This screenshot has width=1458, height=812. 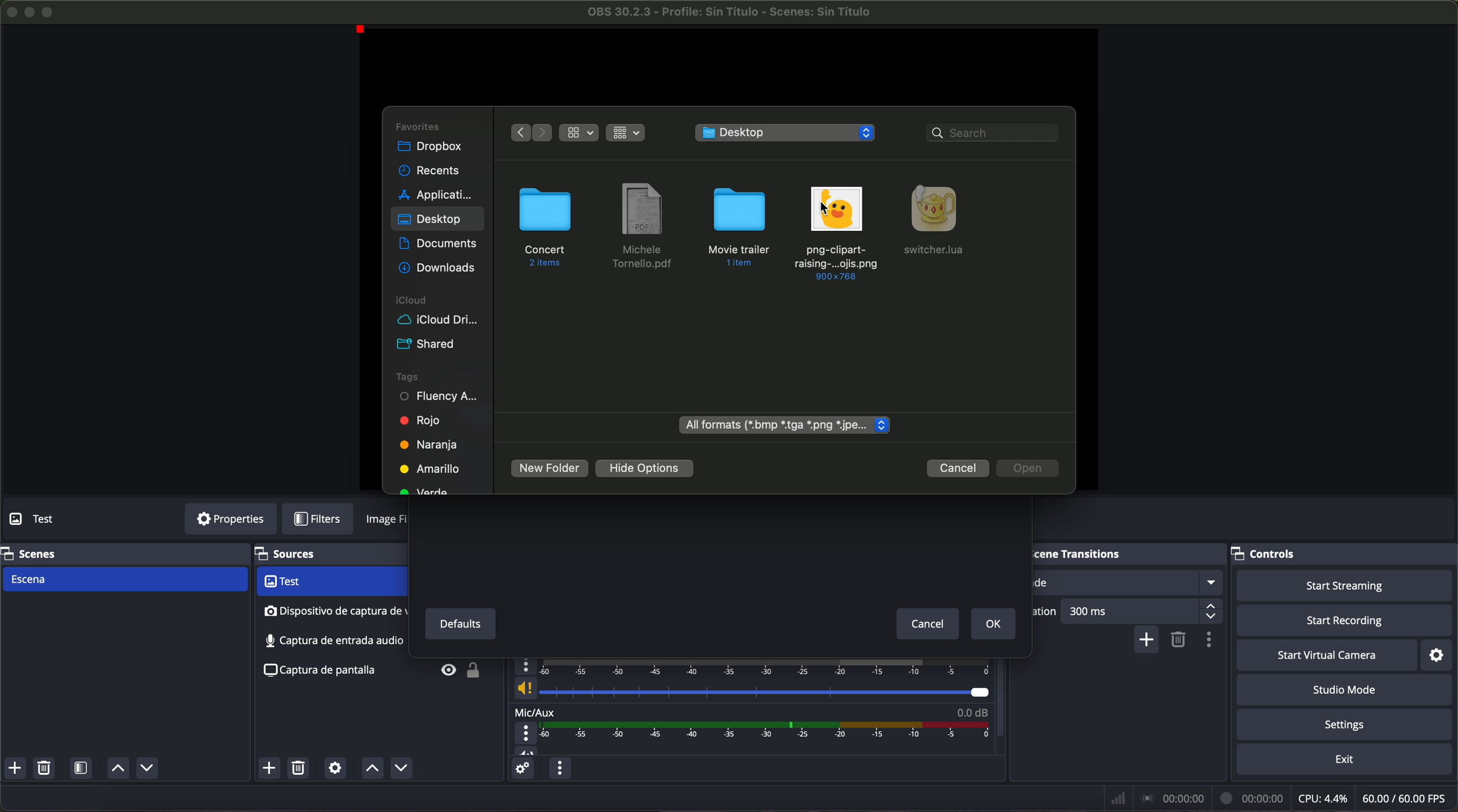 What do you see at coordinates (324, 519) in the screenshot?
I see `filters` at bounding box center [324, 519].